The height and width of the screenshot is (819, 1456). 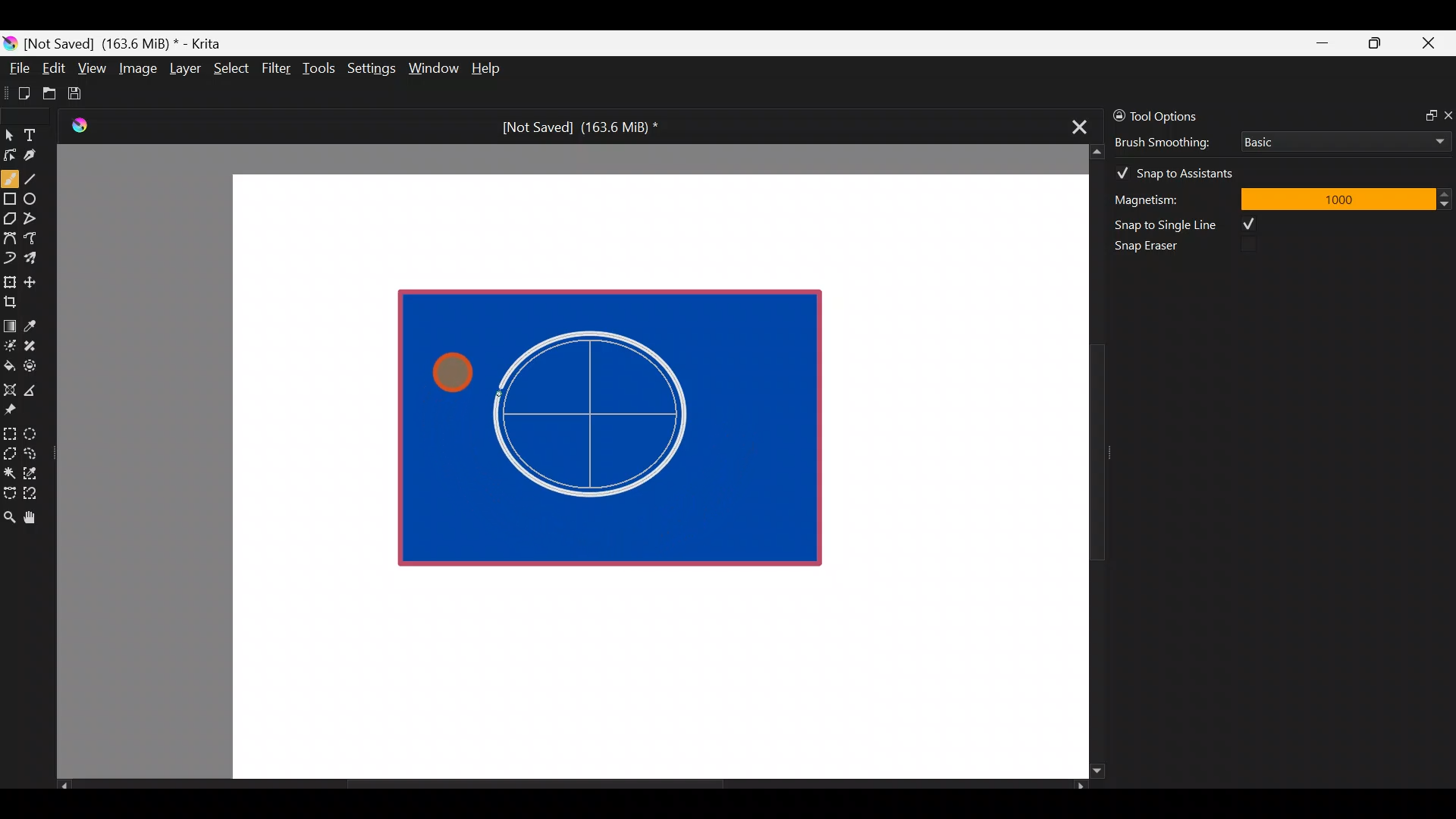 What do you see at coordinates (184, 72) in the screenshot?
I see `Layer` at bounding box center [184, 72].